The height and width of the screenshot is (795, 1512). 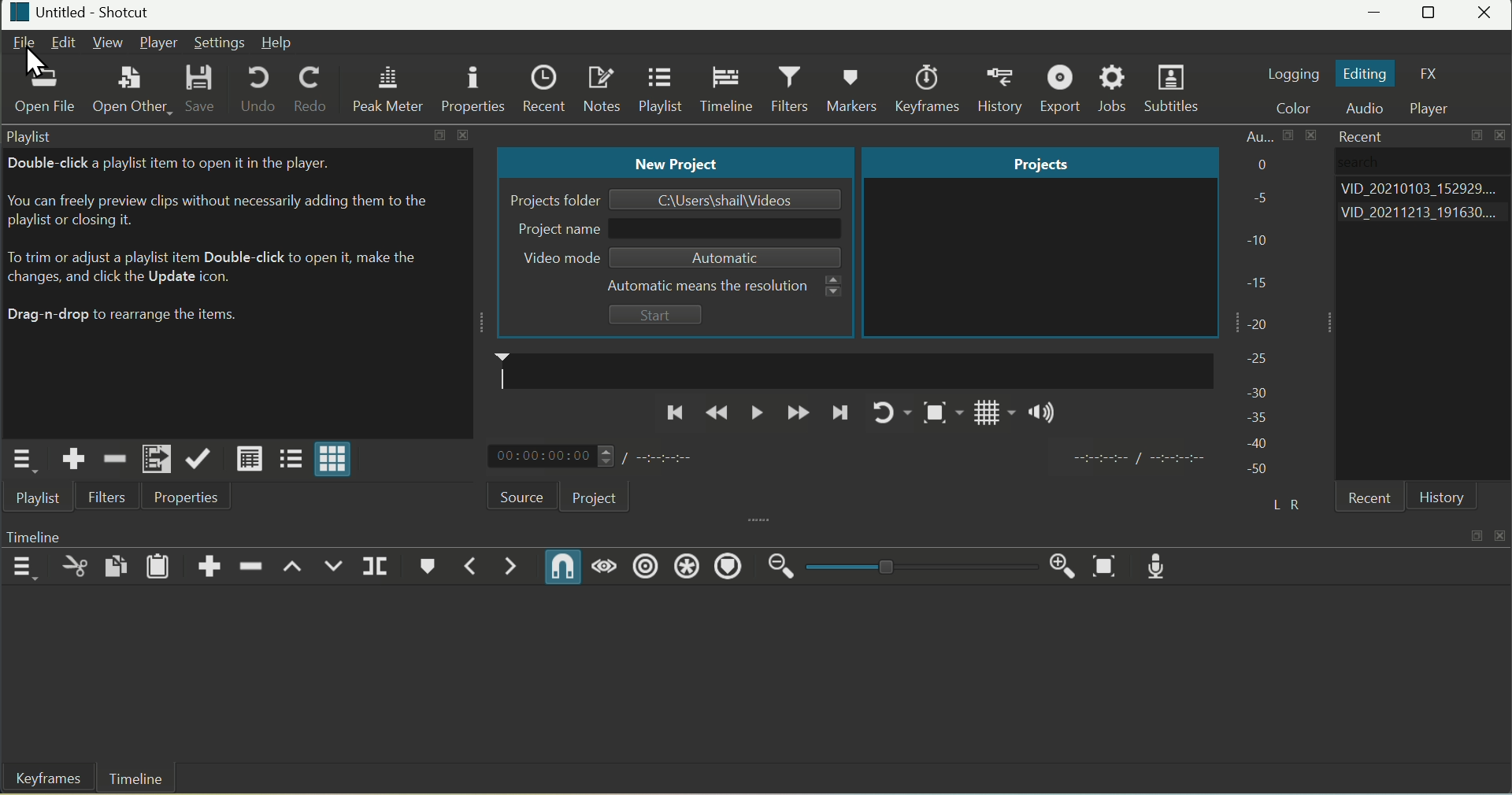 What do you see at coordinates (1424, 215) in the screenshot?
I see `Videos list` at bounding box center [1424, 215].